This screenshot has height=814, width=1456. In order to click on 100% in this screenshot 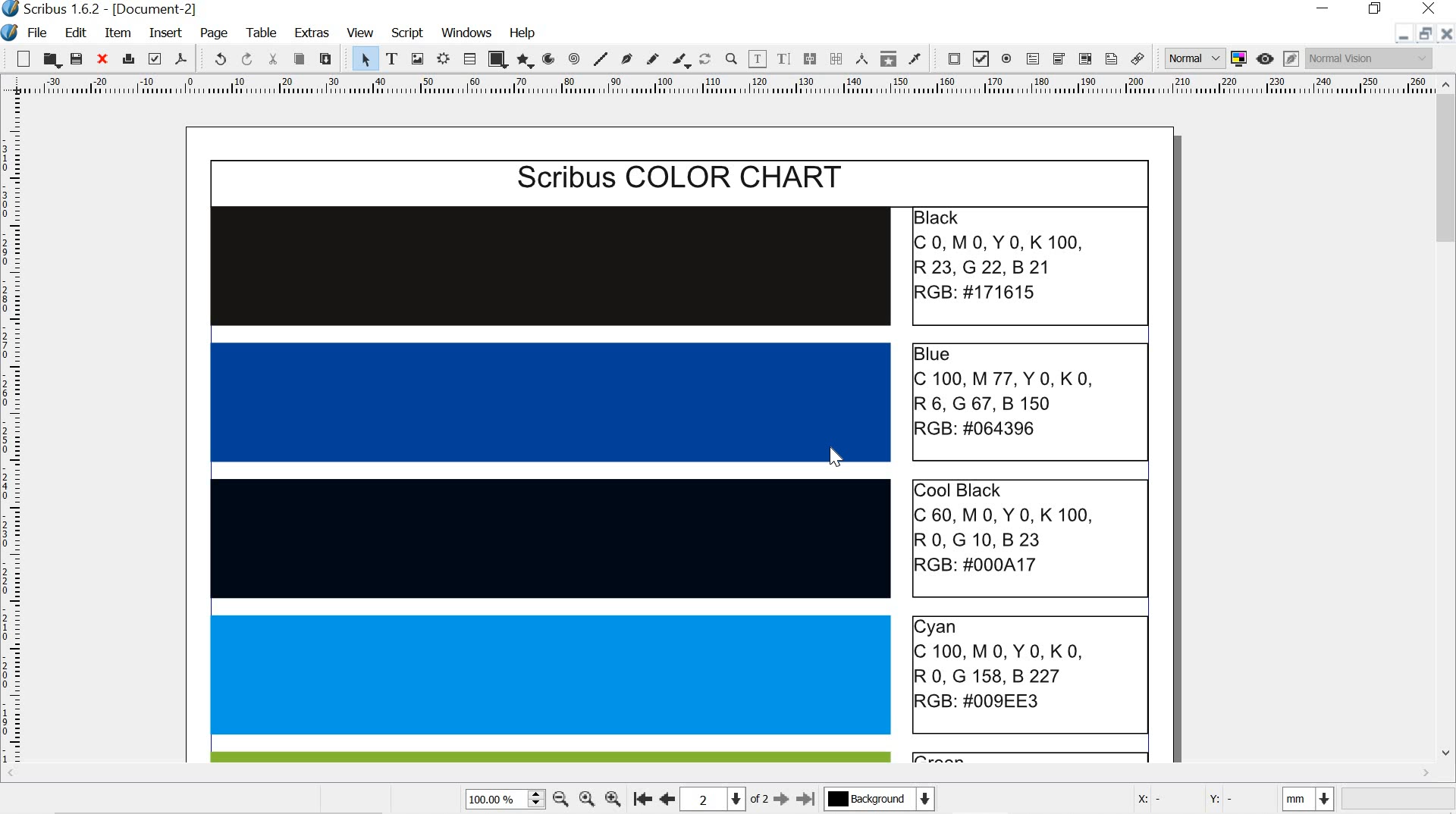, I will do `click(502, 798)`.